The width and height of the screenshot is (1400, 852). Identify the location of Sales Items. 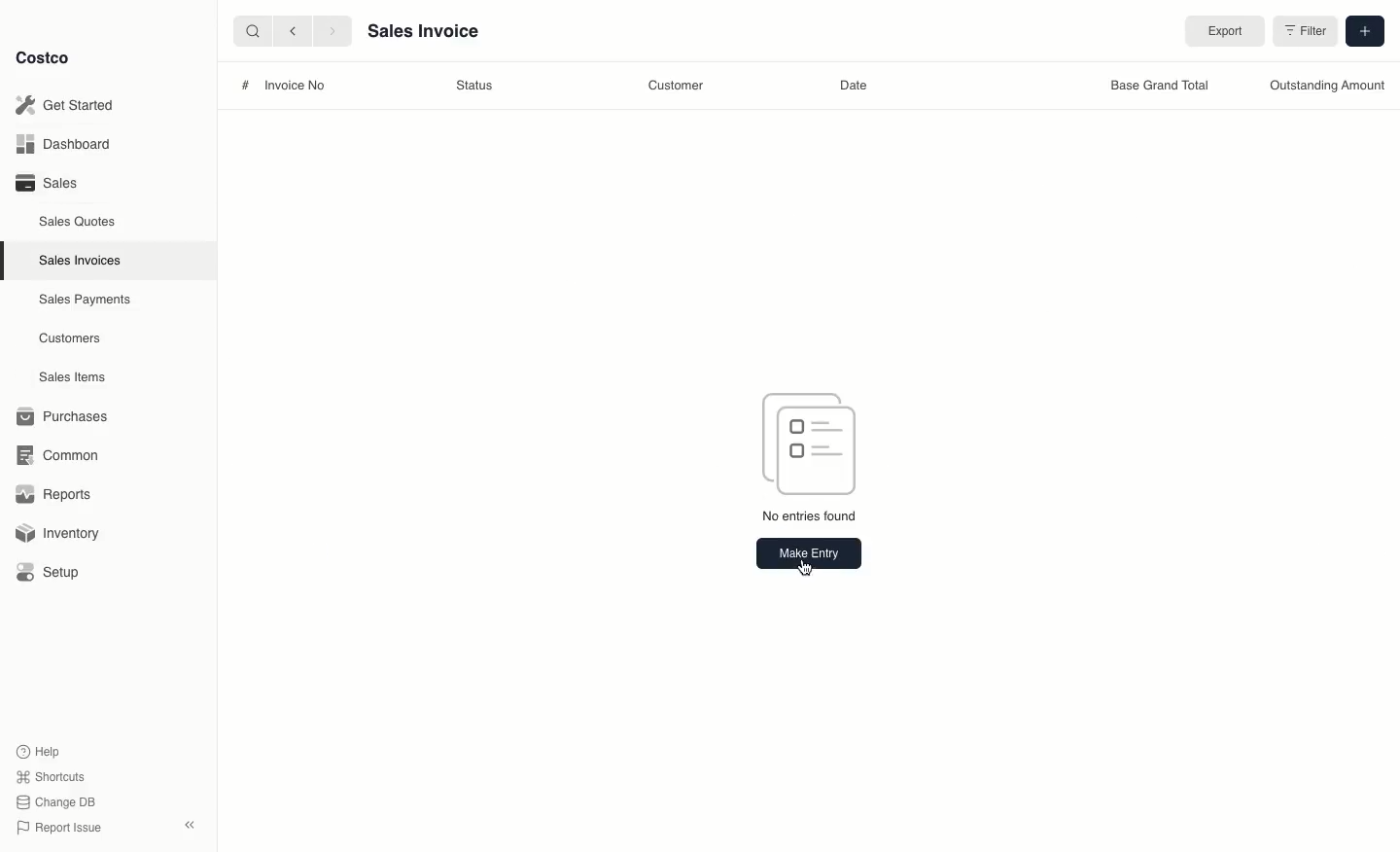
(77, 377).